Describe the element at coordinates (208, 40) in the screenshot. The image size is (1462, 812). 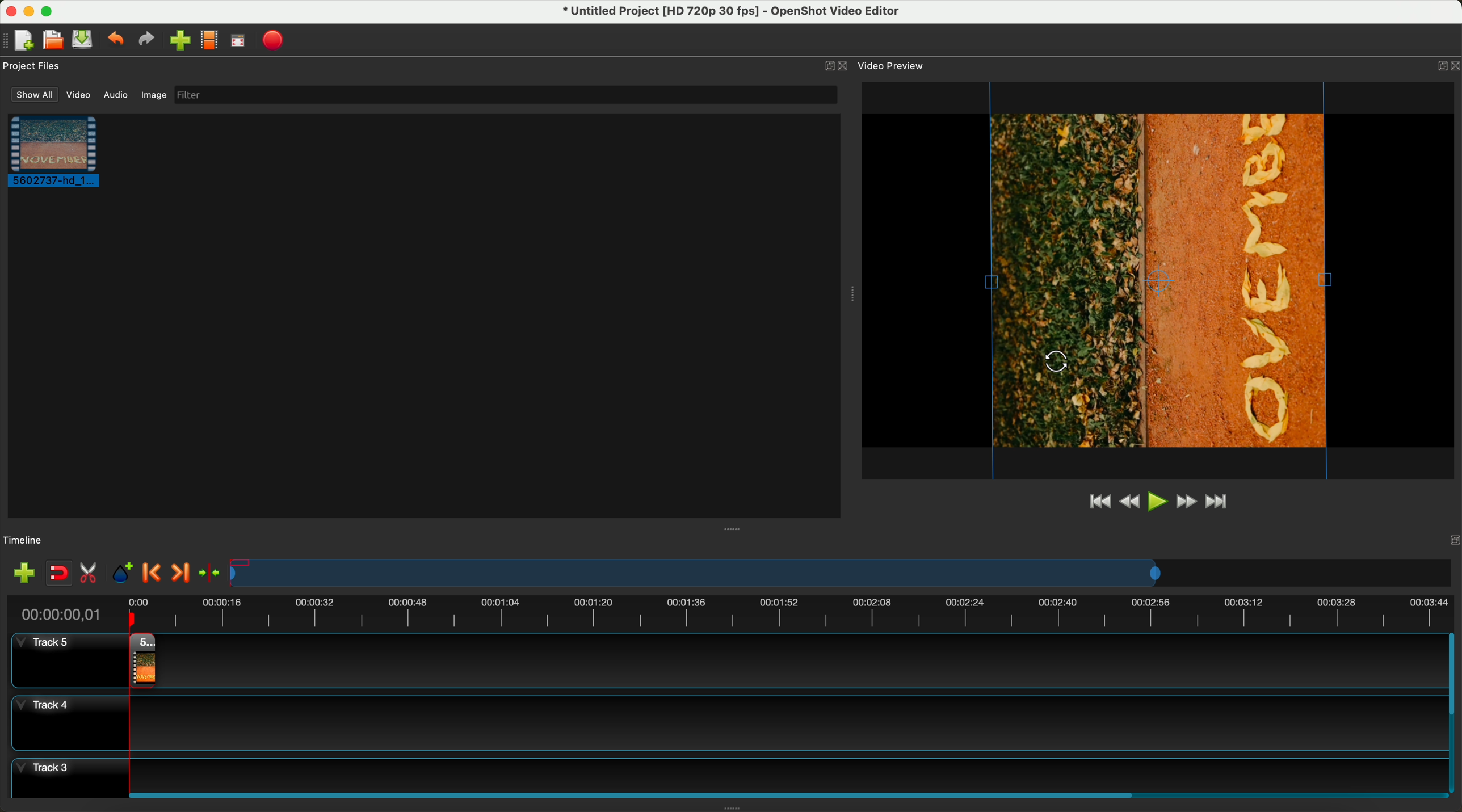
I see `choose profile` at that location.